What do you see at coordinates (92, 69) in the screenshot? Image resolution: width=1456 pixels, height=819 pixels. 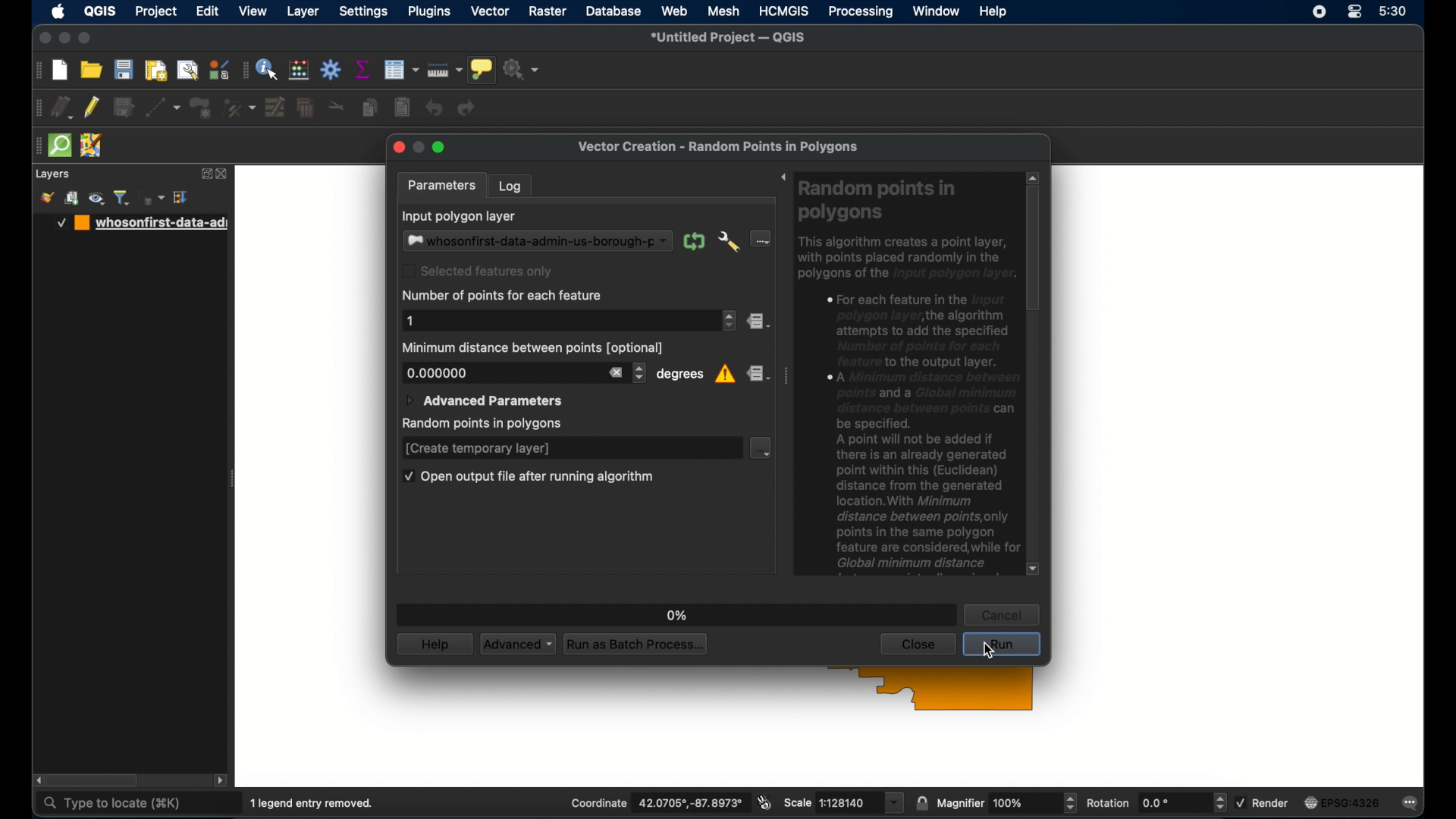 I see `open project` at bounding box center [92, 69].